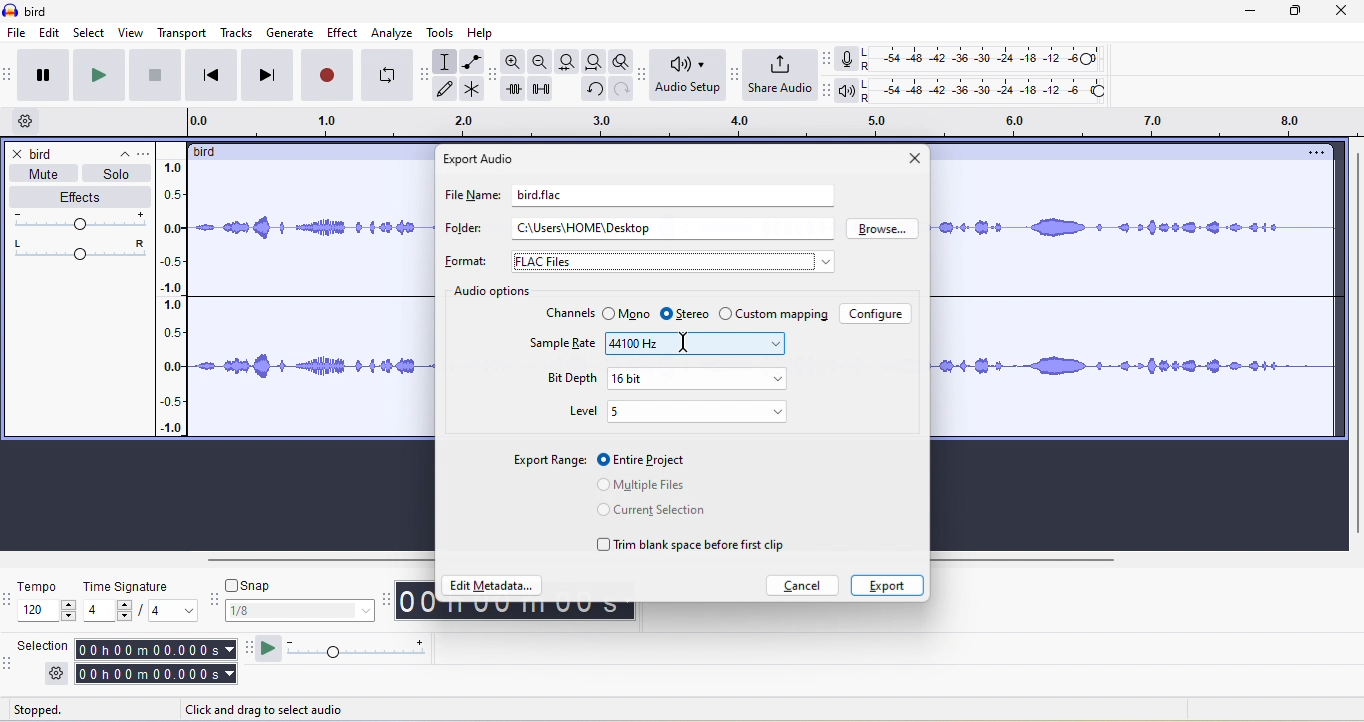  I want to click on close, so click(18, 155).